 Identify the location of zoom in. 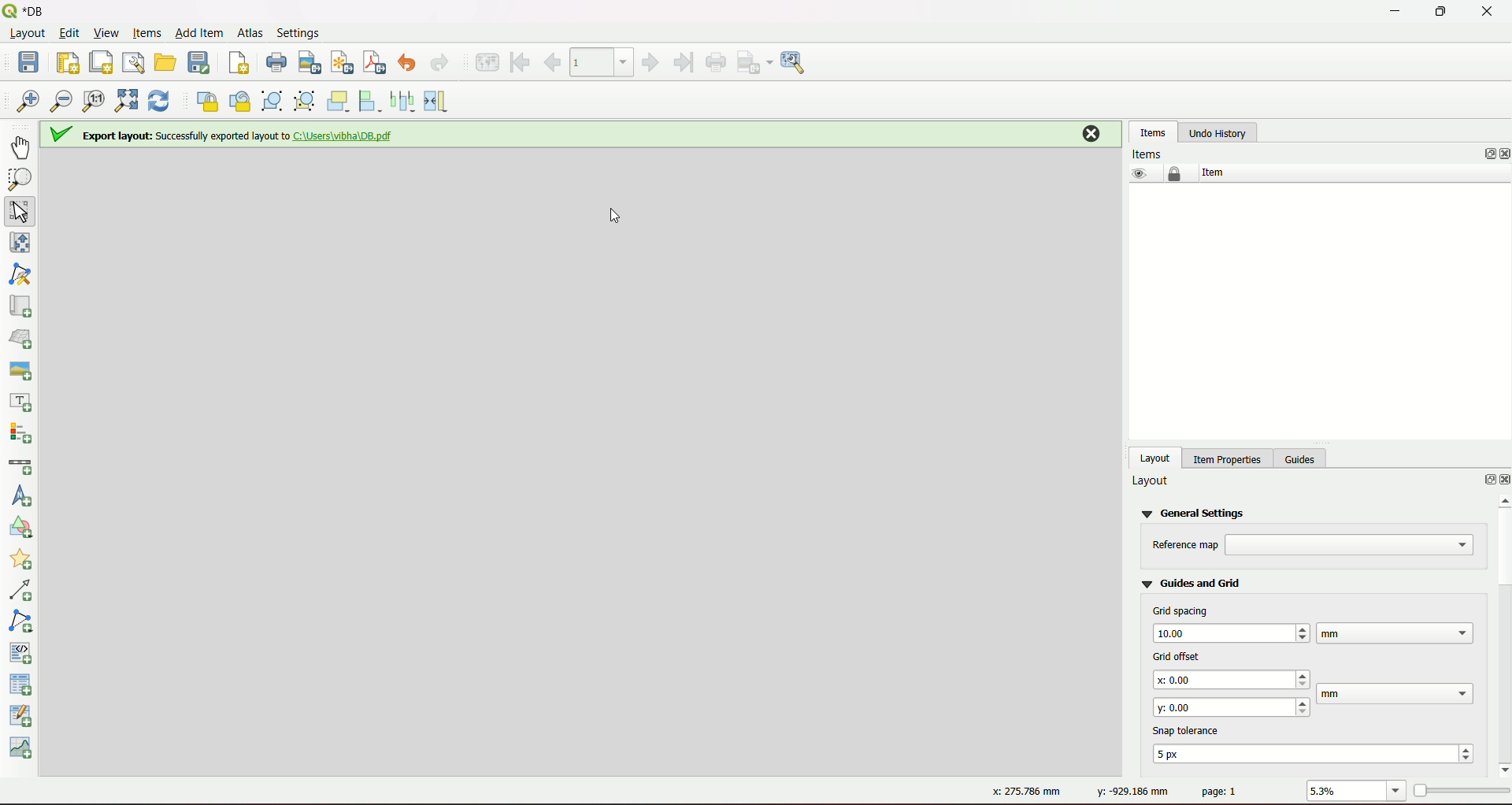
(28, 102).